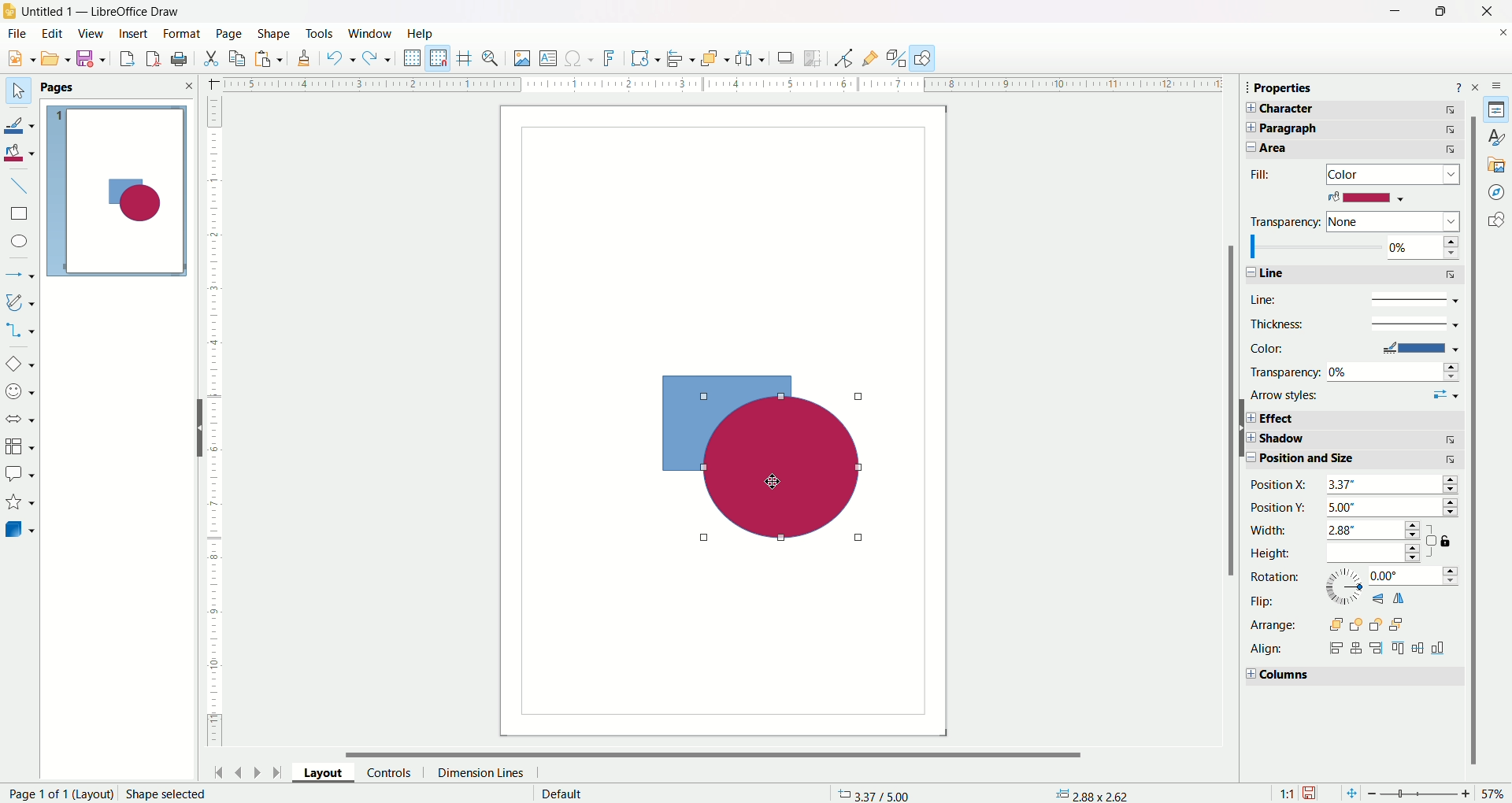  Describe the element at coordinates (1442, 542) in the screenshot. I see `lock` at that location.